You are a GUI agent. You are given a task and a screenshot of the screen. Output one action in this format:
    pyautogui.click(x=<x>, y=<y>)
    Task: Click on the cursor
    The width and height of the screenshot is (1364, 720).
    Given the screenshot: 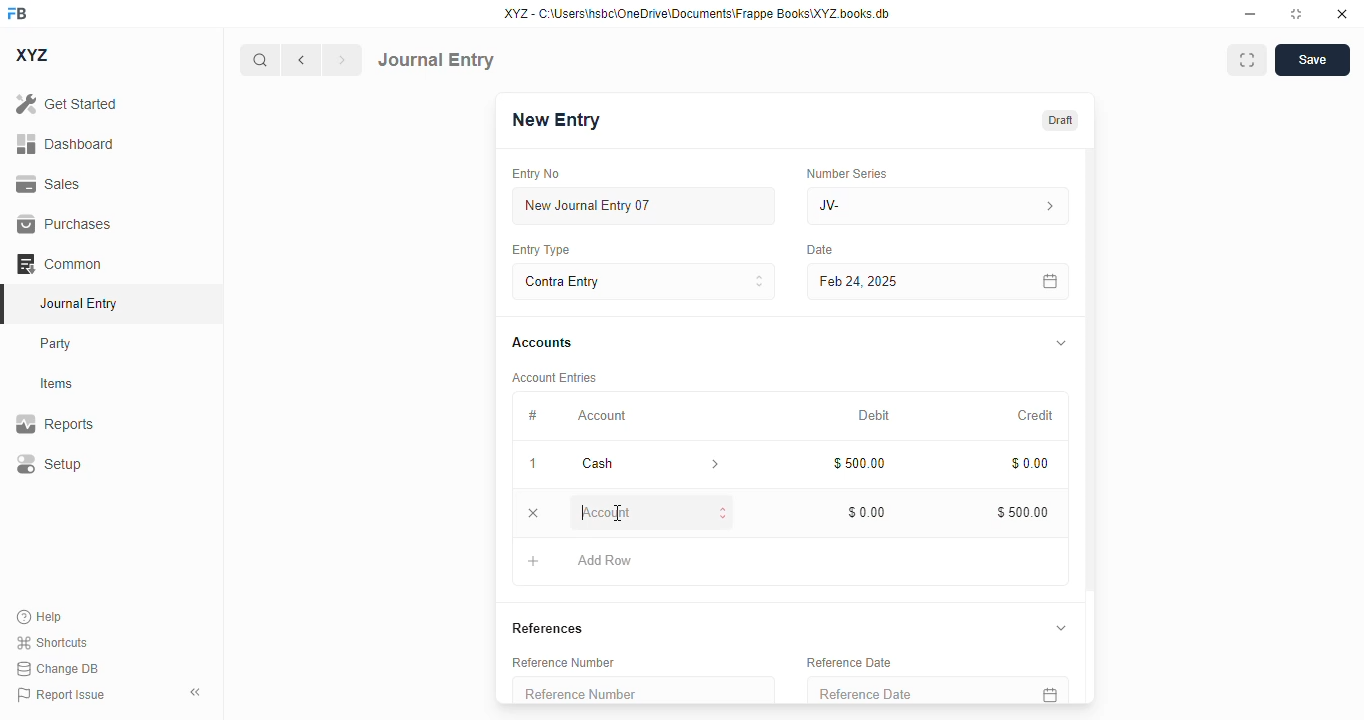 What is the action you would take?
    pyautogui.click(x=617, y=513)
    